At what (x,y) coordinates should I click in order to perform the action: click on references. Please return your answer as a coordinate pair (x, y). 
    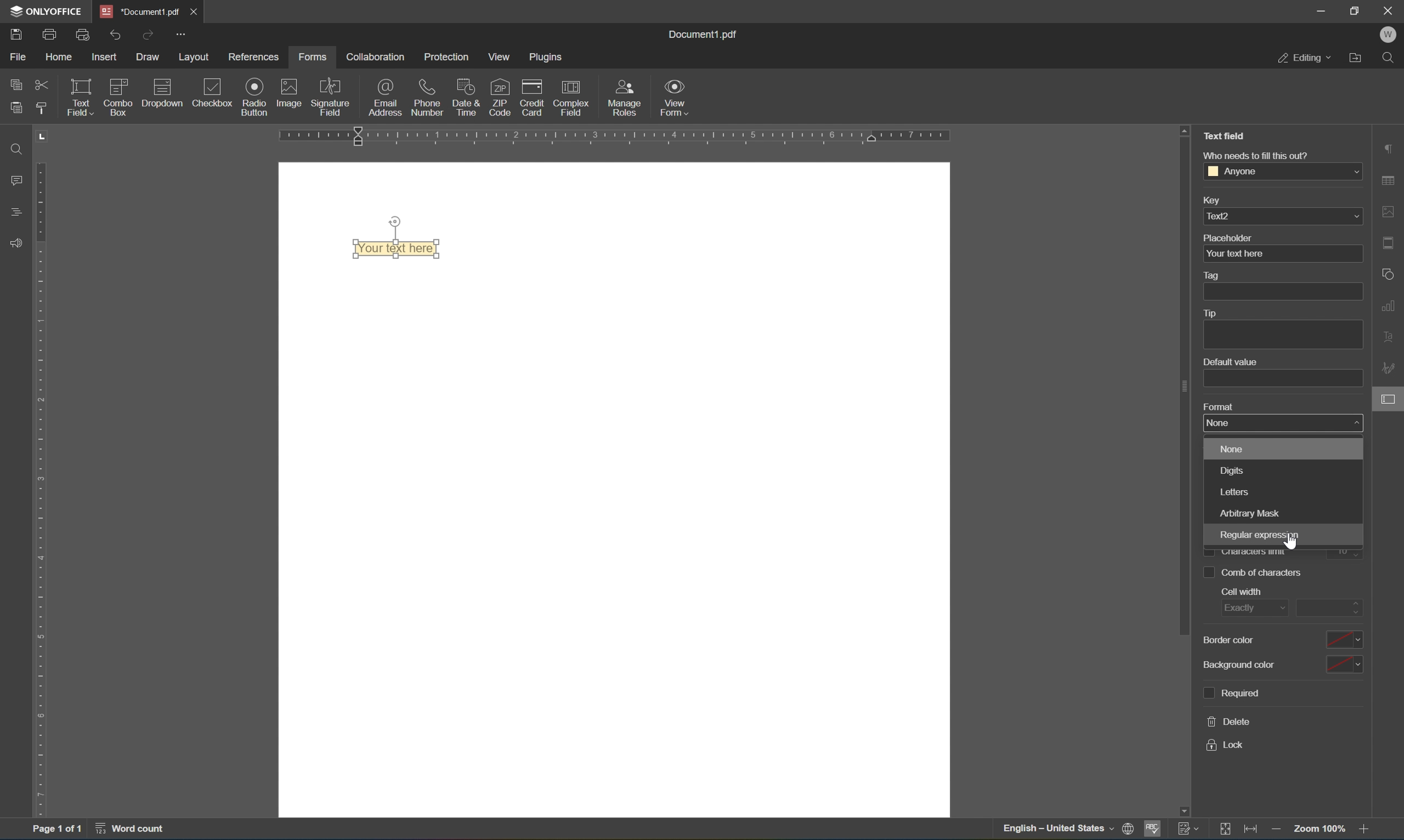
    Looking at the image, I should click on (256, 57).